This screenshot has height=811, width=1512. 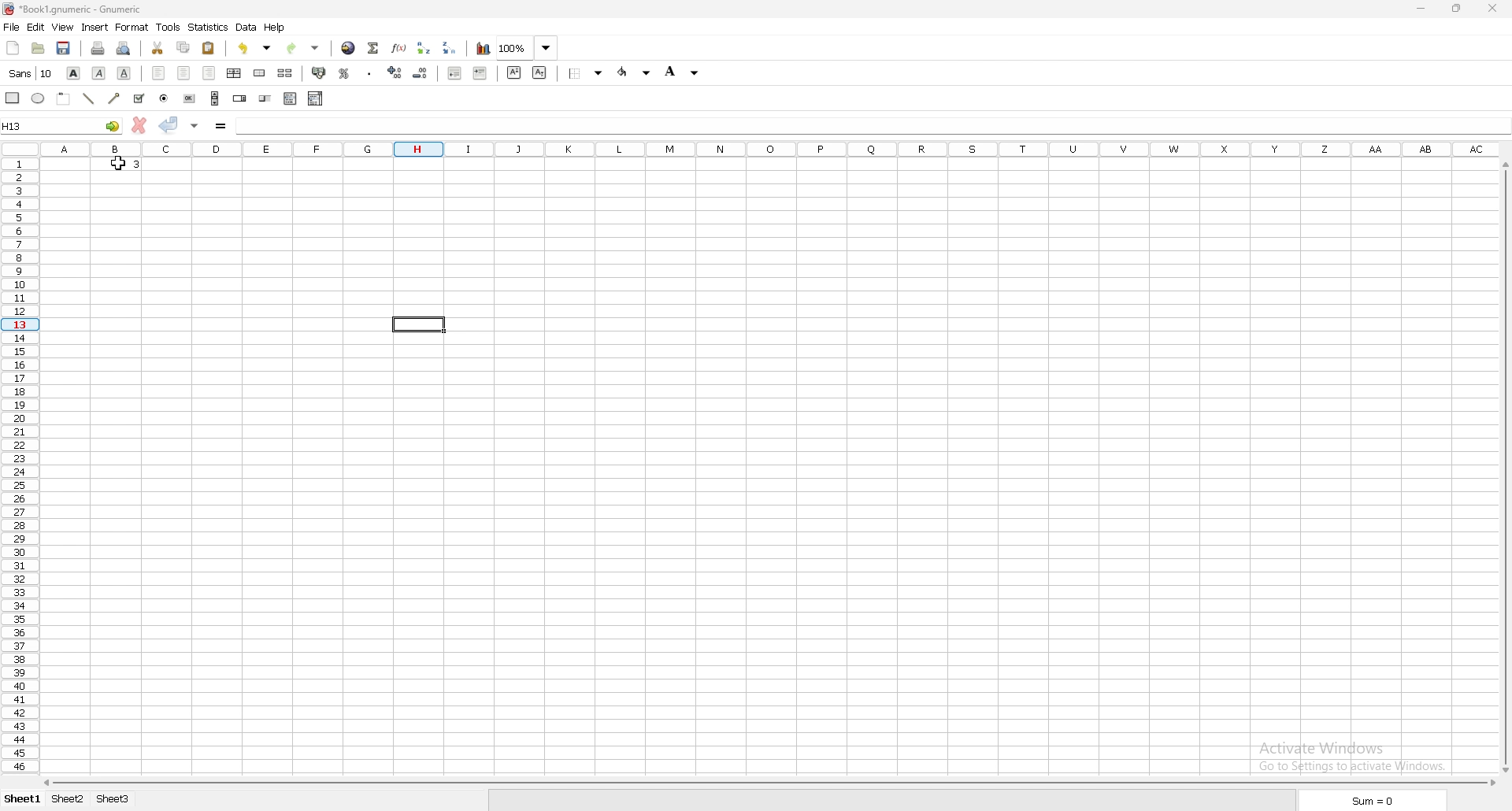 What do you see at coordinates (159, 73) in the screenshot?
I see `left indent` at bounding box center [159, 73].